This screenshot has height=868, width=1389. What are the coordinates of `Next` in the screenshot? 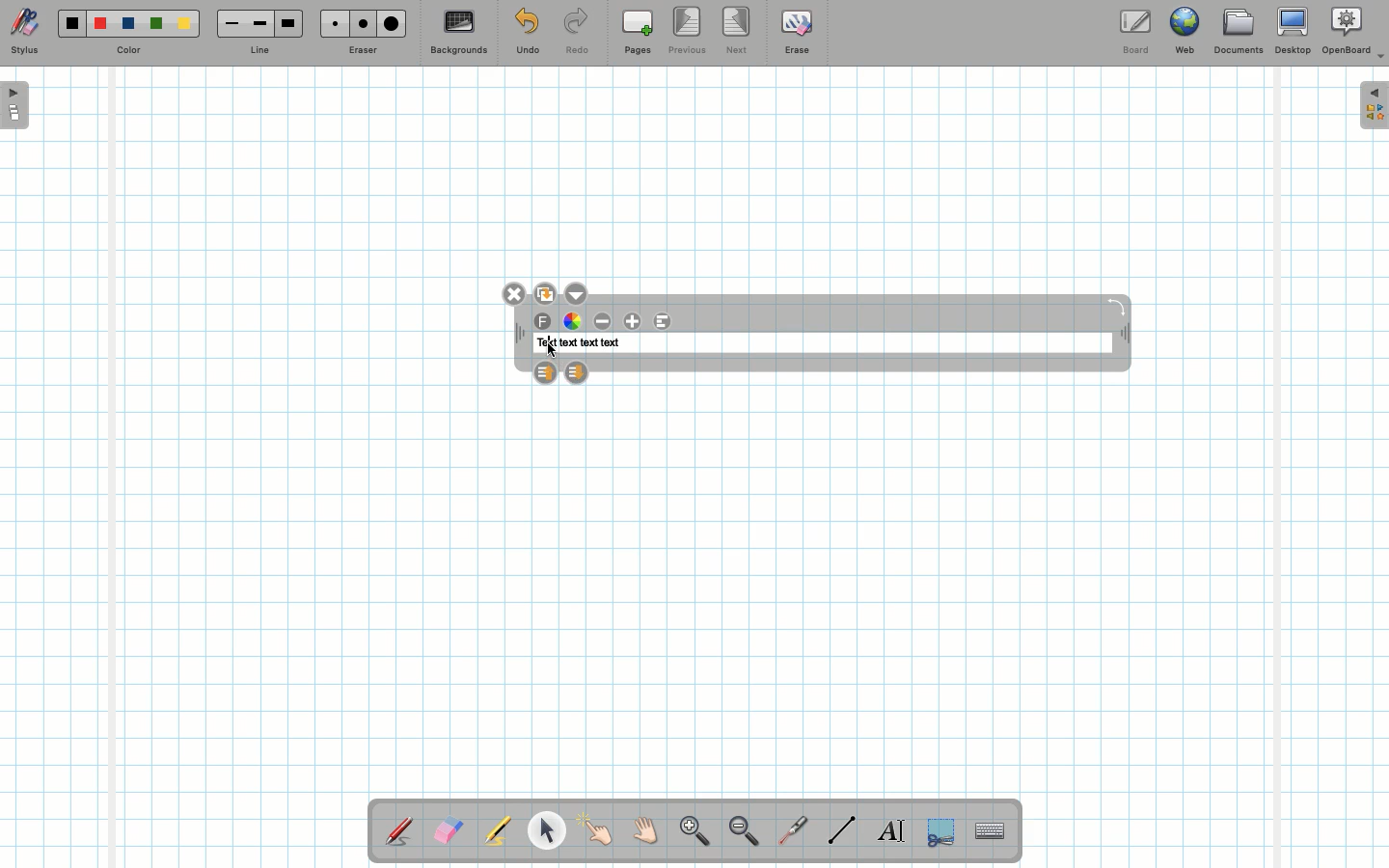 It's located at (738, 29).